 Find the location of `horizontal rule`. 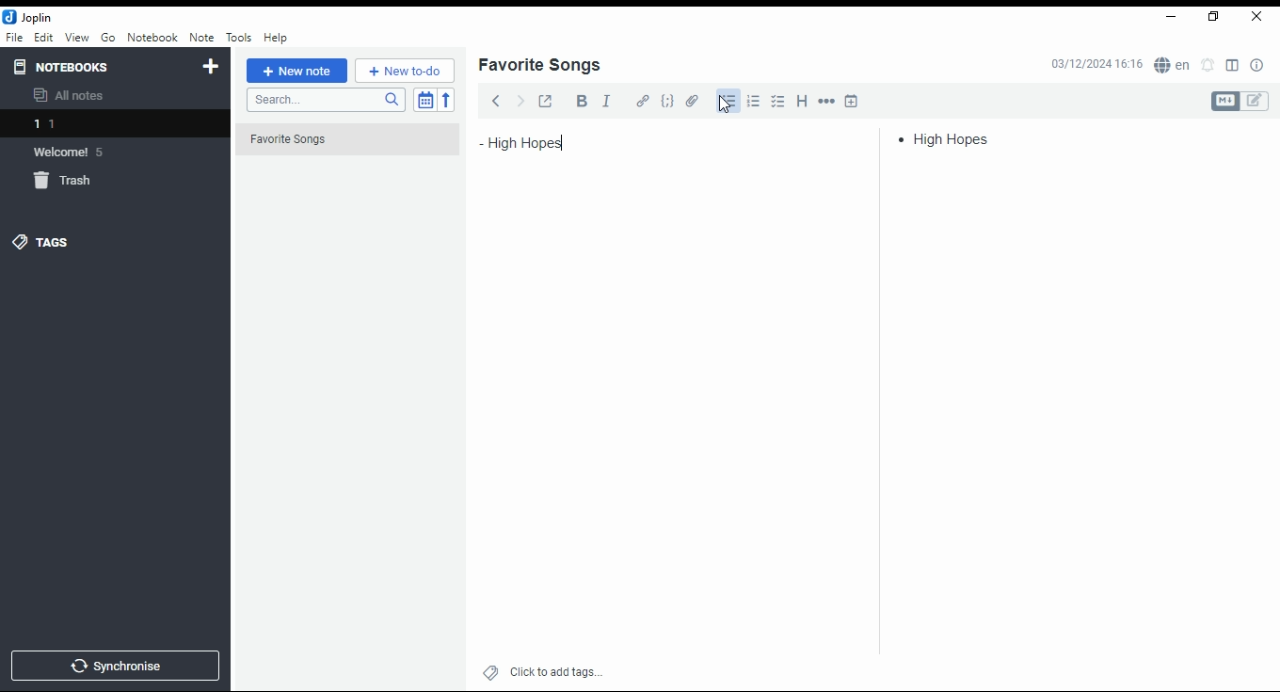

horizontal rule is located at coordinates (828, 100).